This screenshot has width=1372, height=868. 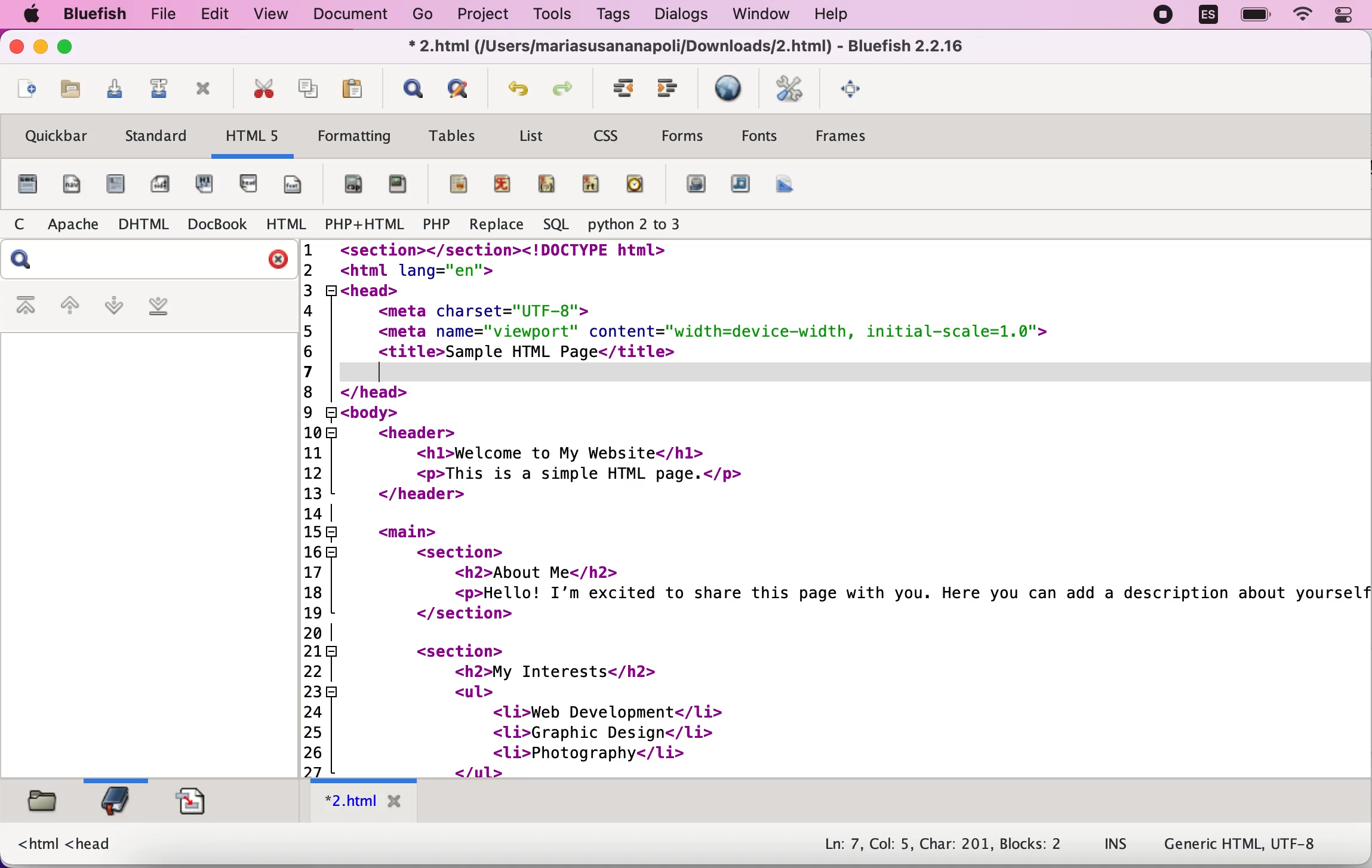 I want to click on <html <head, so click(x=66, y=845).